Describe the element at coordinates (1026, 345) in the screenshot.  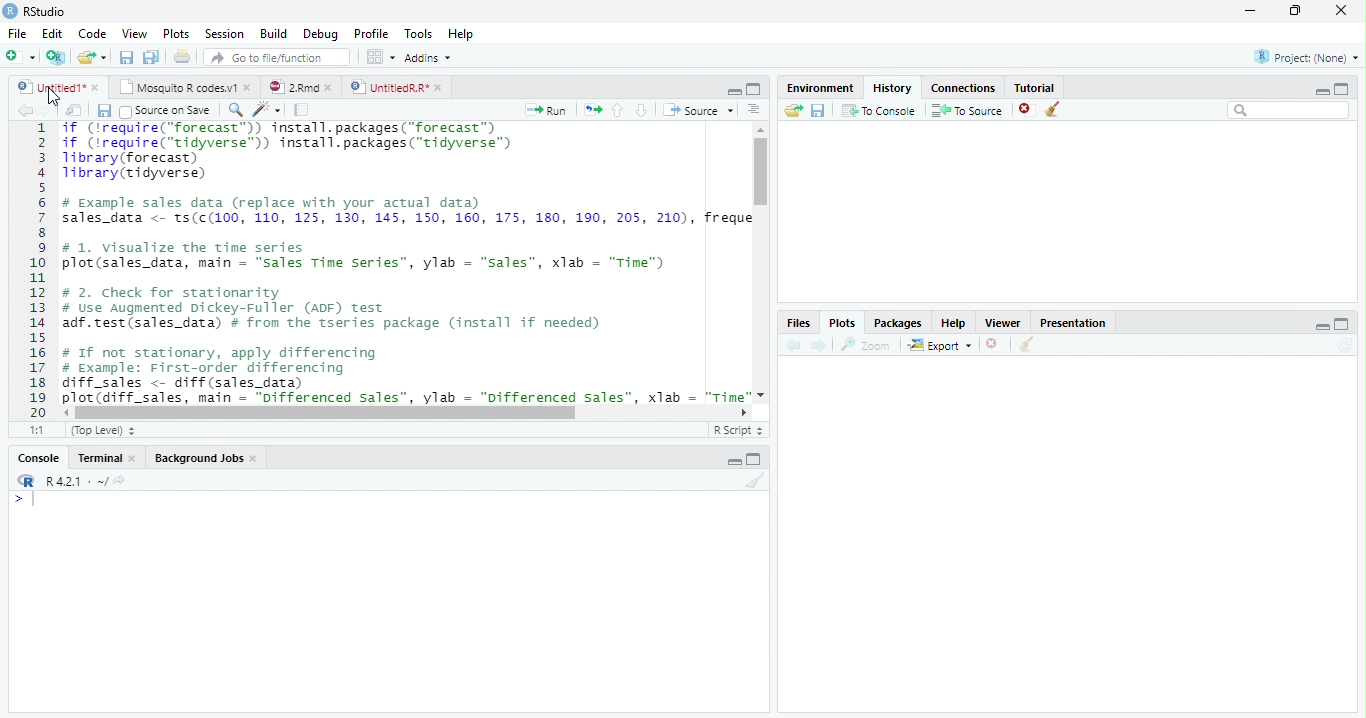
I see `Clean` at that location.